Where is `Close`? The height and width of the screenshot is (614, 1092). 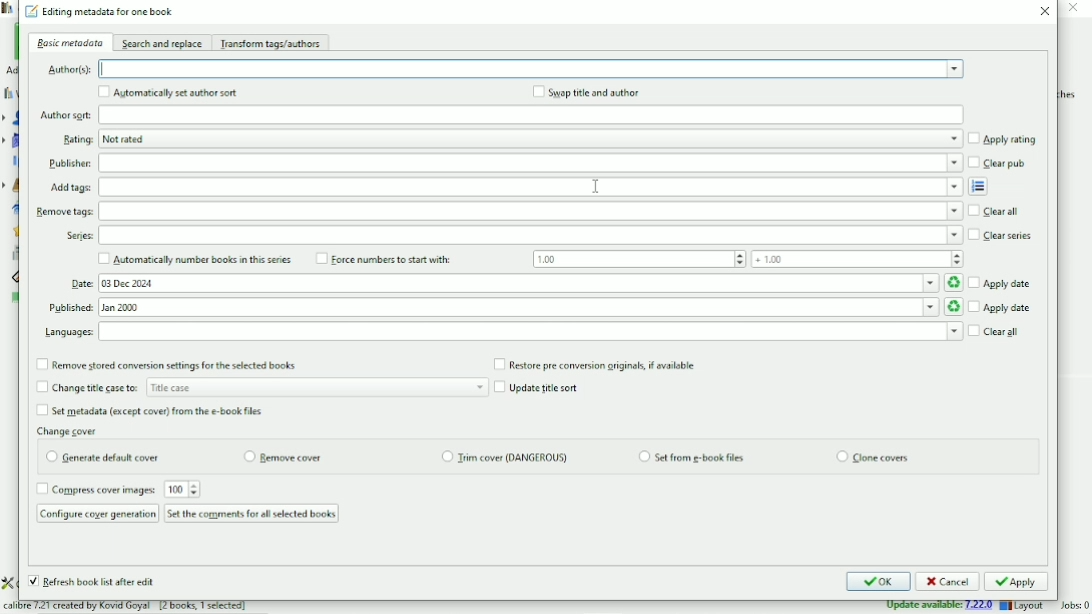
Close is located at coordinates (1046, 12).